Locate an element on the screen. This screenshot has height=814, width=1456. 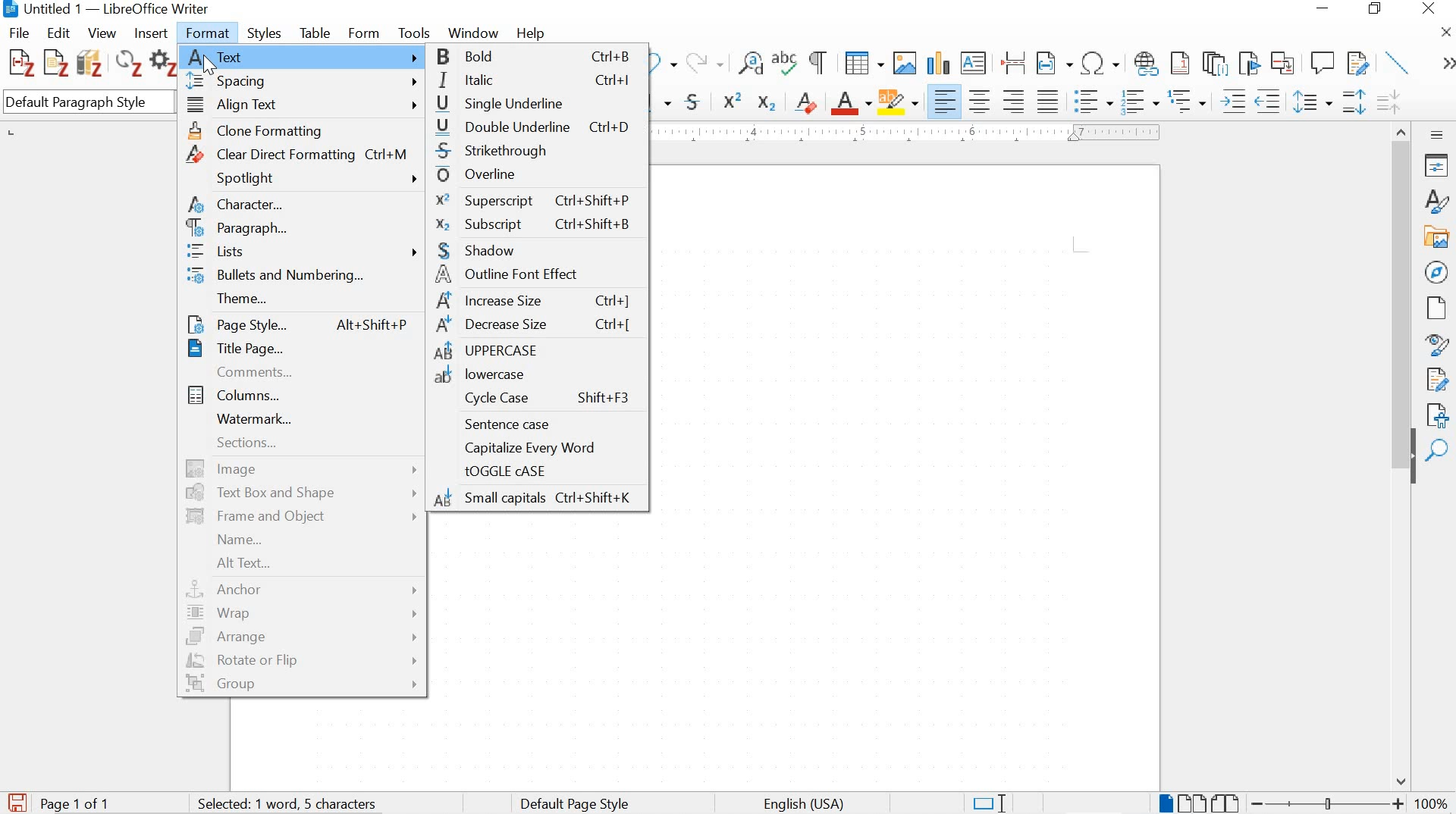
navigator is located at coordinates (1436, 271).